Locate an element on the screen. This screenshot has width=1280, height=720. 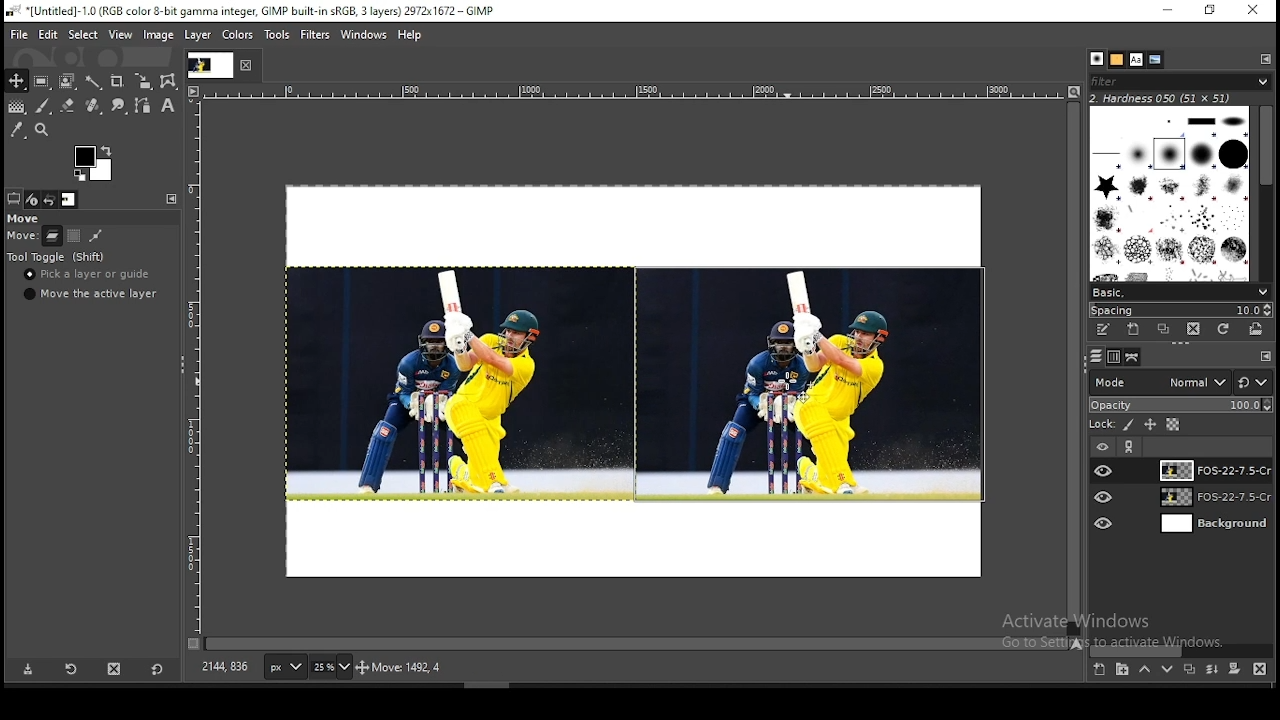
scale is located at coordinates (624, 91).